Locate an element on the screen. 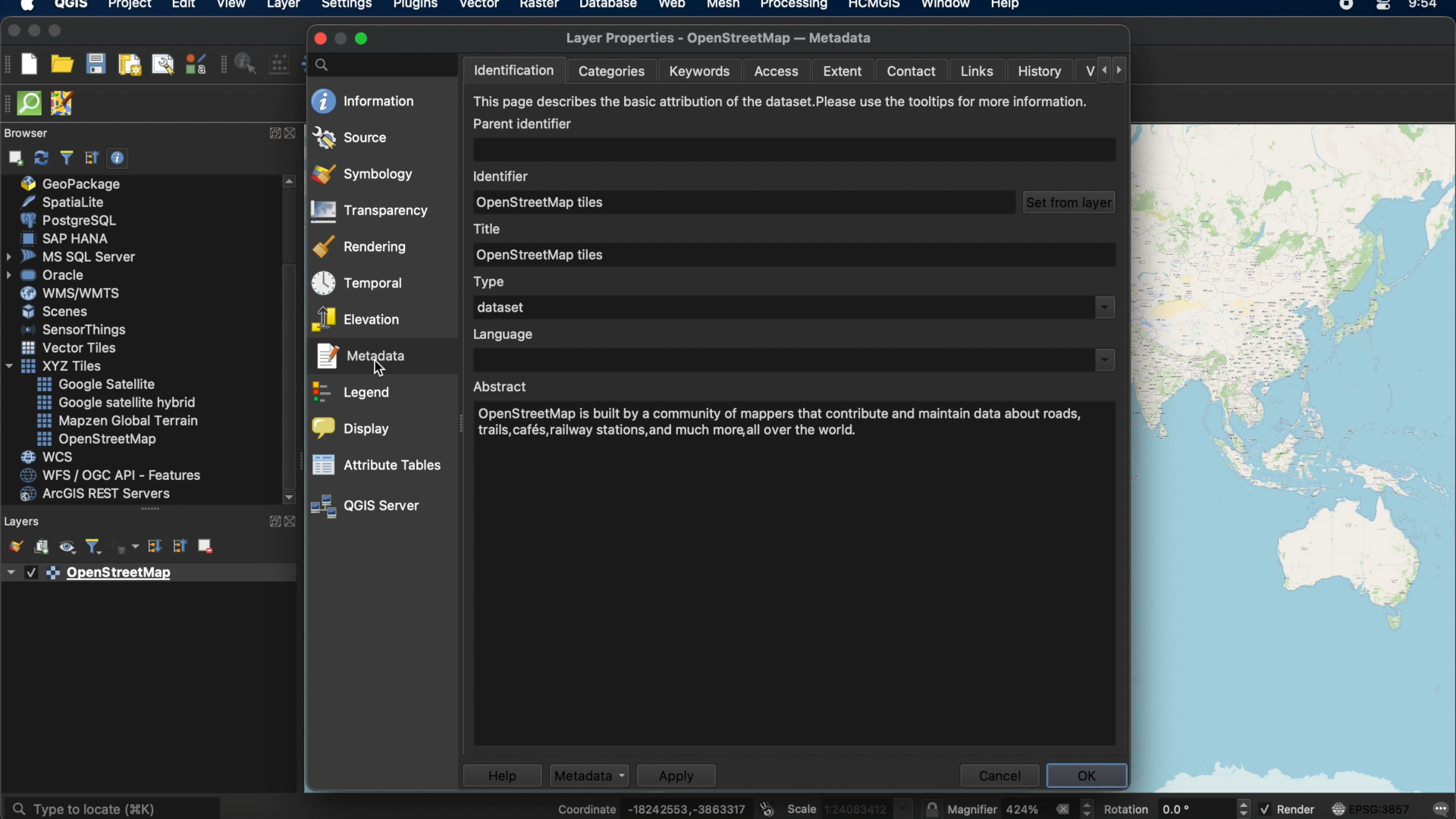 The height and width of the screenshot is (819, 1456). apply is located at coordinates (675, 776).